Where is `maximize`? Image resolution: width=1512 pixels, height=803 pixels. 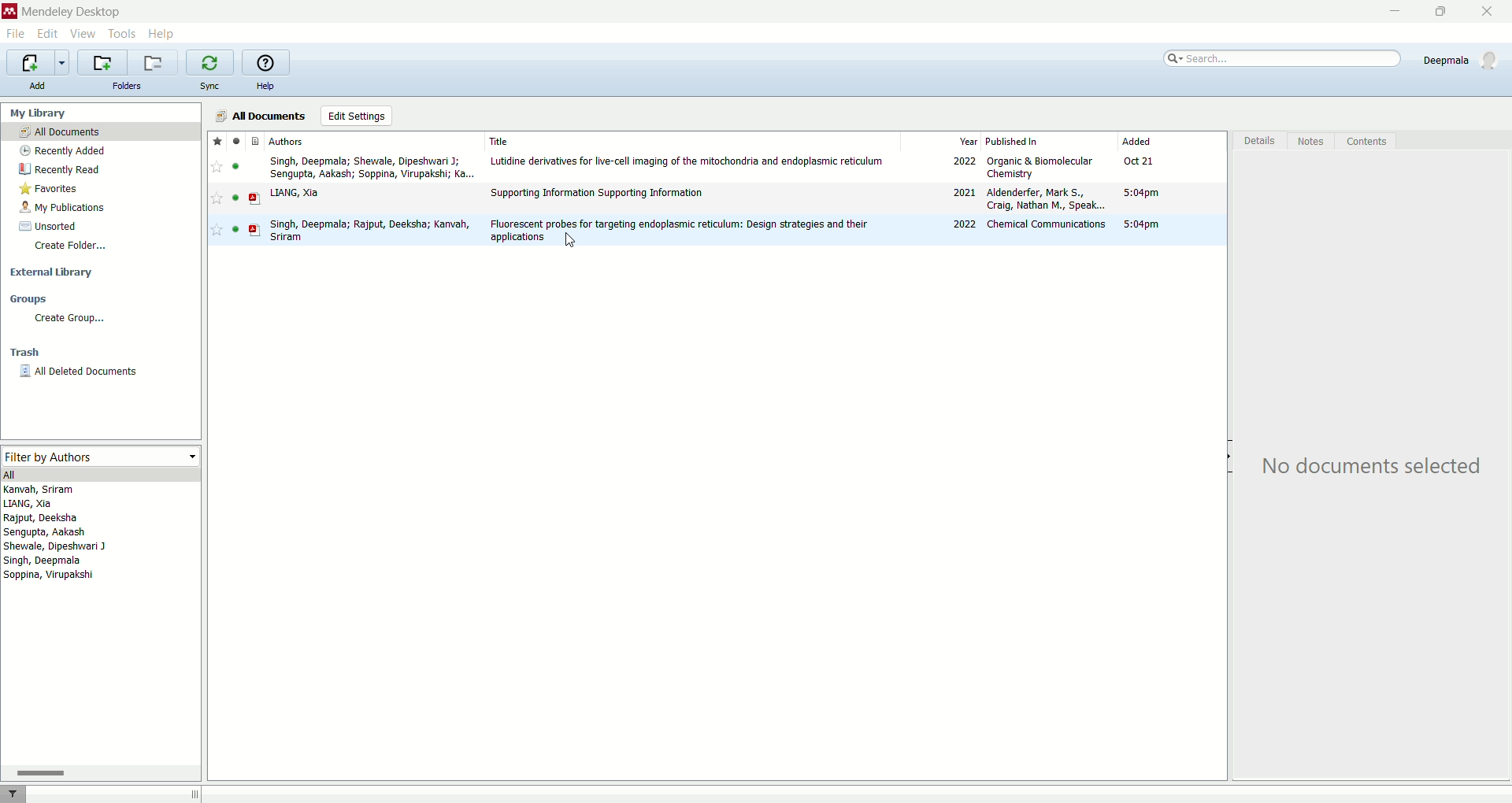 maximize is located at coordinates (1442, 12).